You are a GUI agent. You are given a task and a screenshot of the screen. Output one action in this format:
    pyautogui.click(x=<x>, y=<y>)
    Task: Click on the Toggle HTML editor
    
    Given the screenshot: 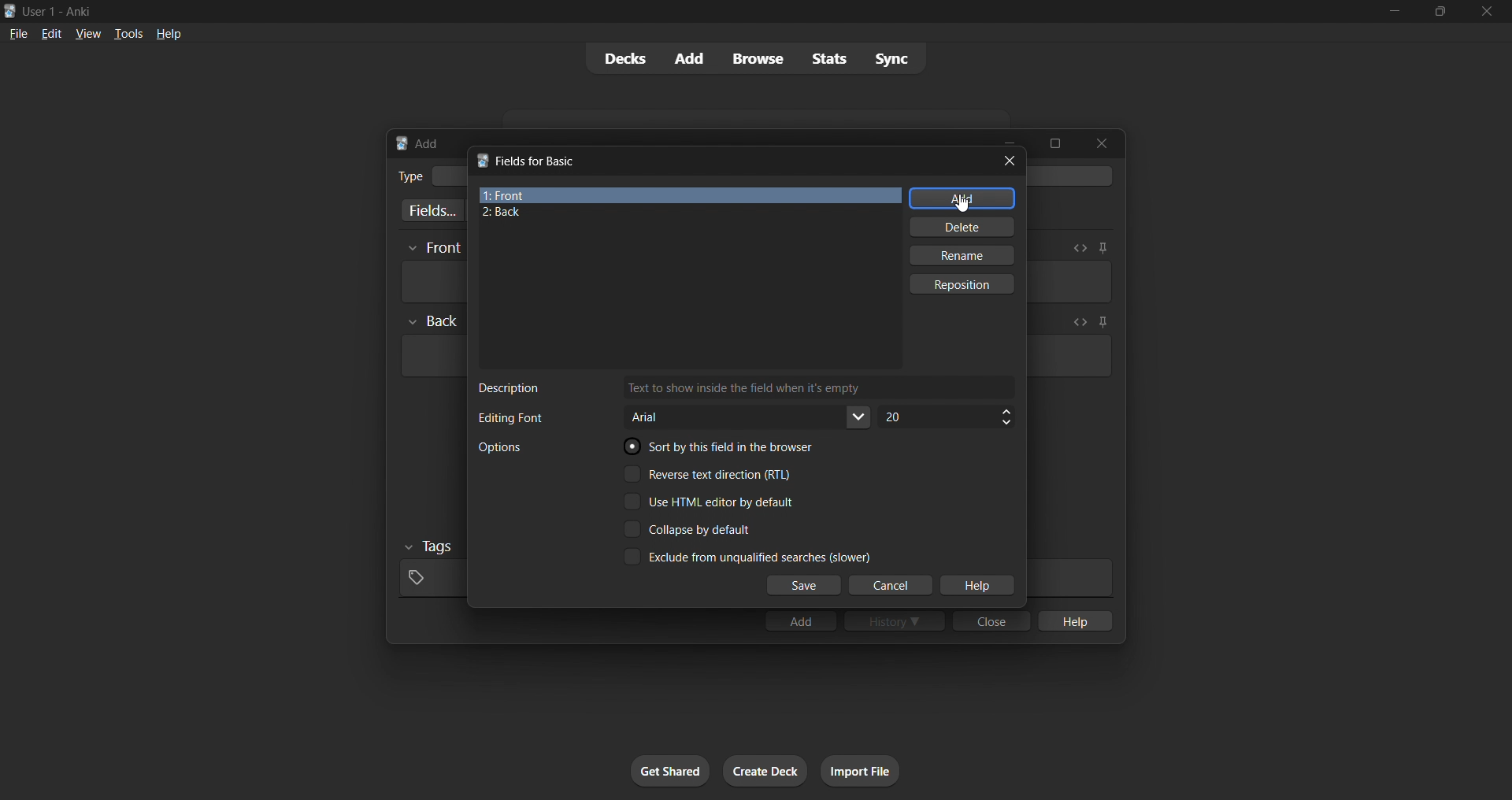 What is the action you would take?
    pyautogui.click(x=1078, y=322)
    